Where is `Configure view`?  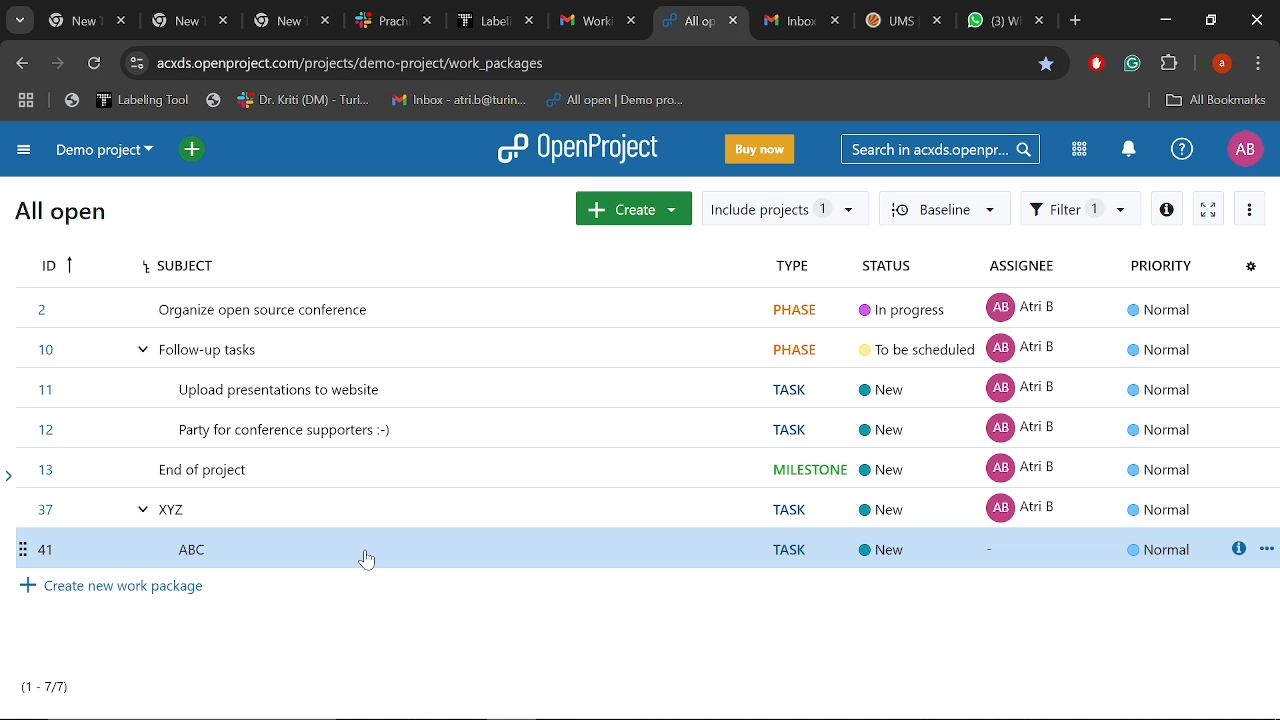 Configure view is located at coordinates (1253, 266).